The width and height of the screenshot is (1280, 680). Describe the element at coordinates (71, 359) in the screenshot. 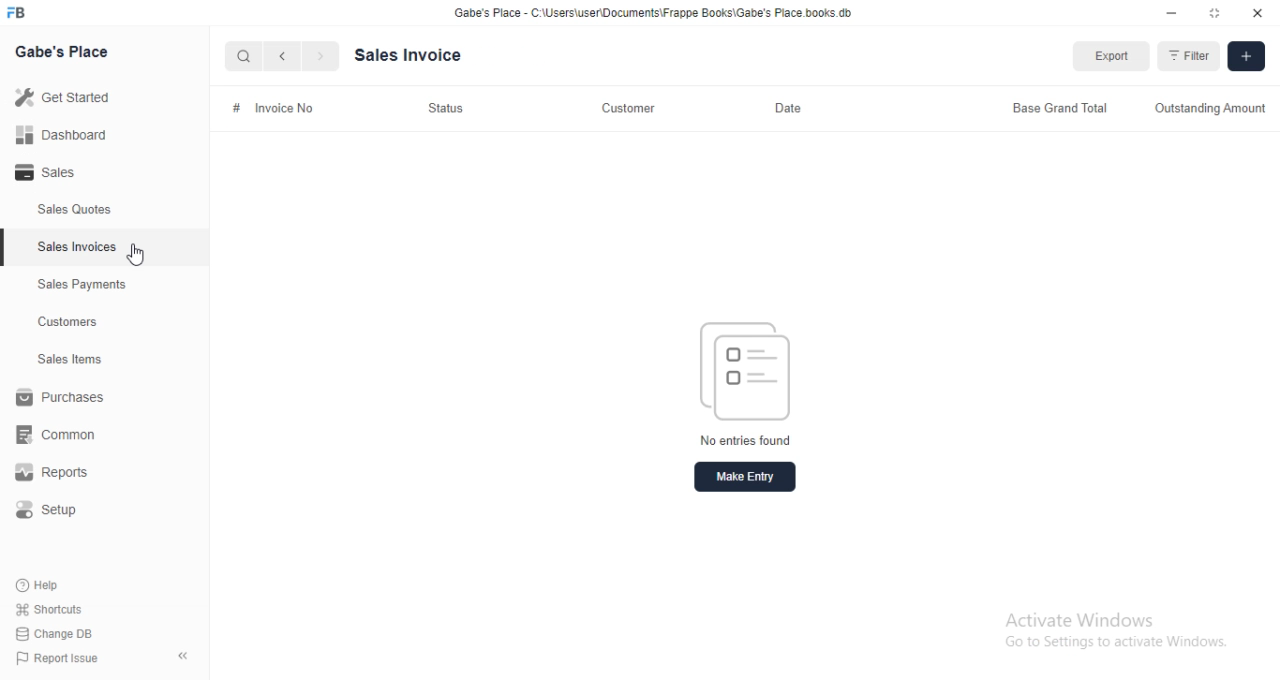

I see `Sales tems` at that location.